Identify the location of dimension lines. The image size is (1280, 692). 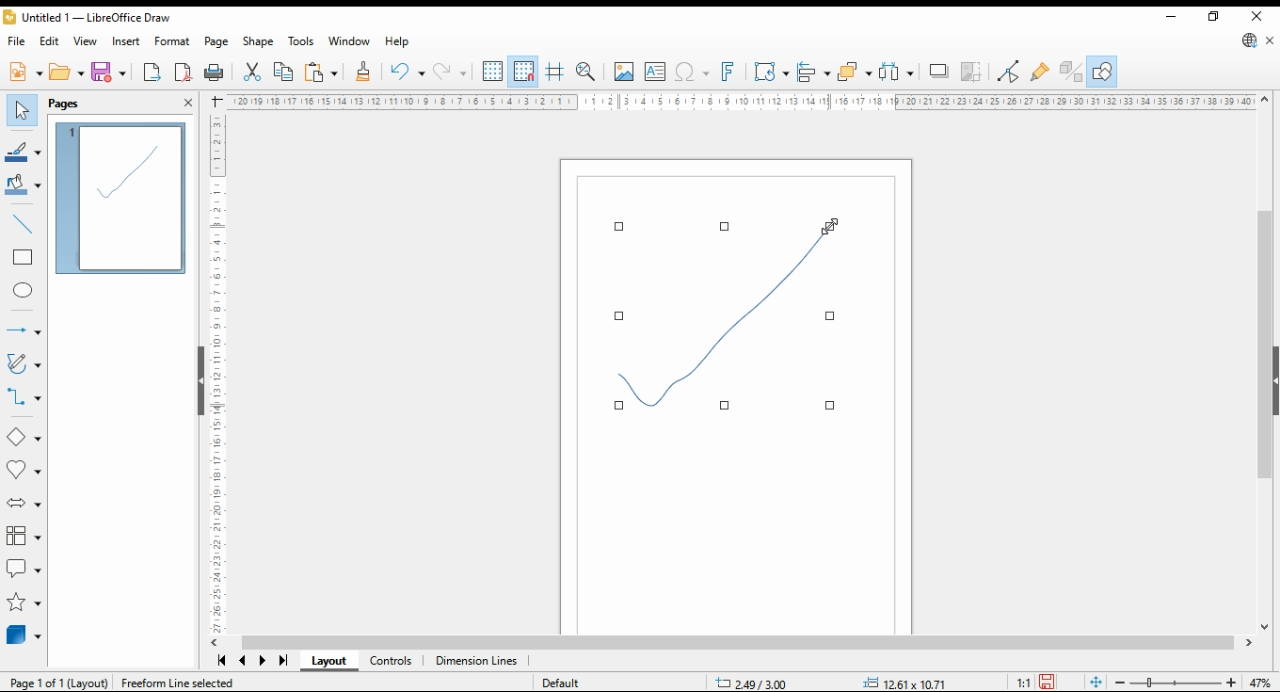
(476, 661).